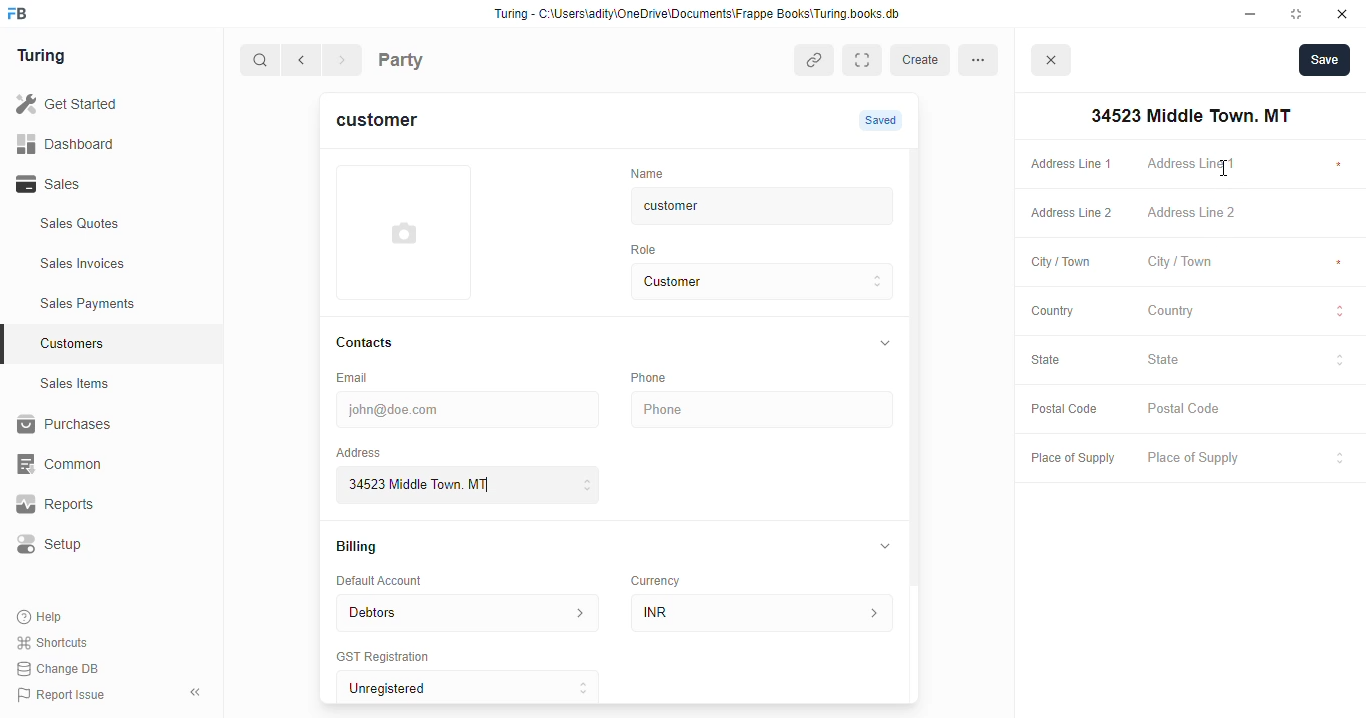 Image resolution: width=1366 pixels, height=718 pixels. I want to click on Save, so click(1324, 59).